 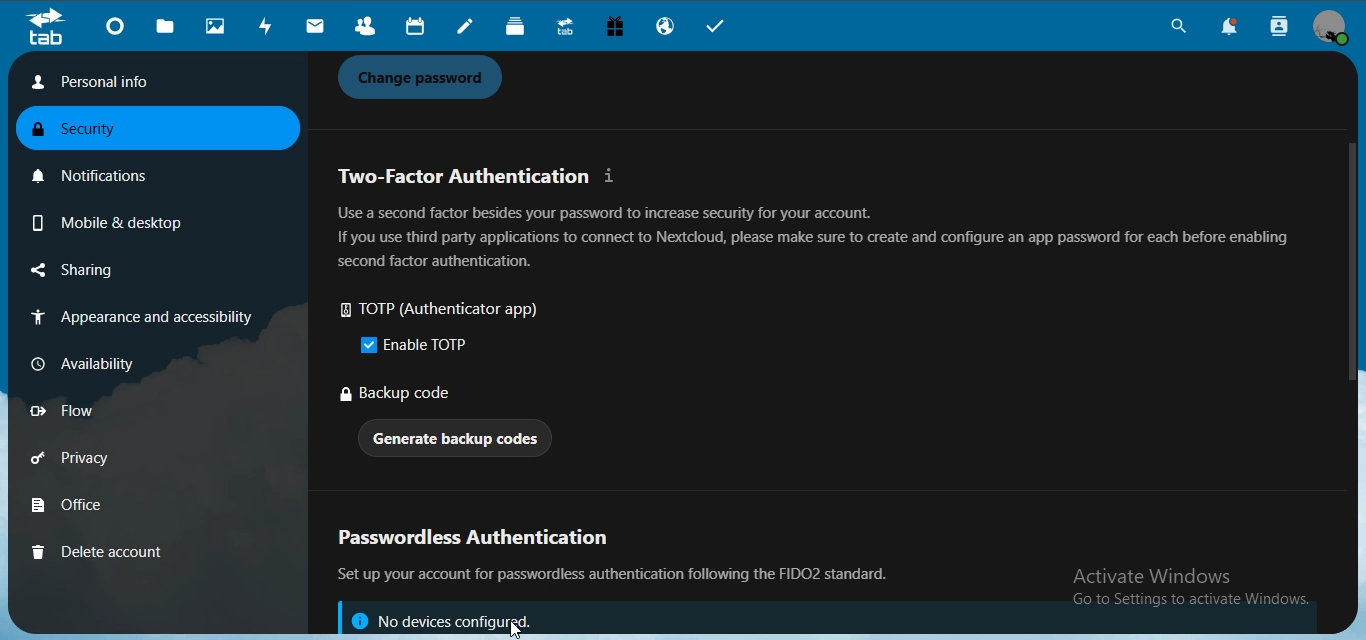 What do you see at coordinates (1346, 260) in the screenshot?
I see `scroll bar` at bounding box center [1346, 260].